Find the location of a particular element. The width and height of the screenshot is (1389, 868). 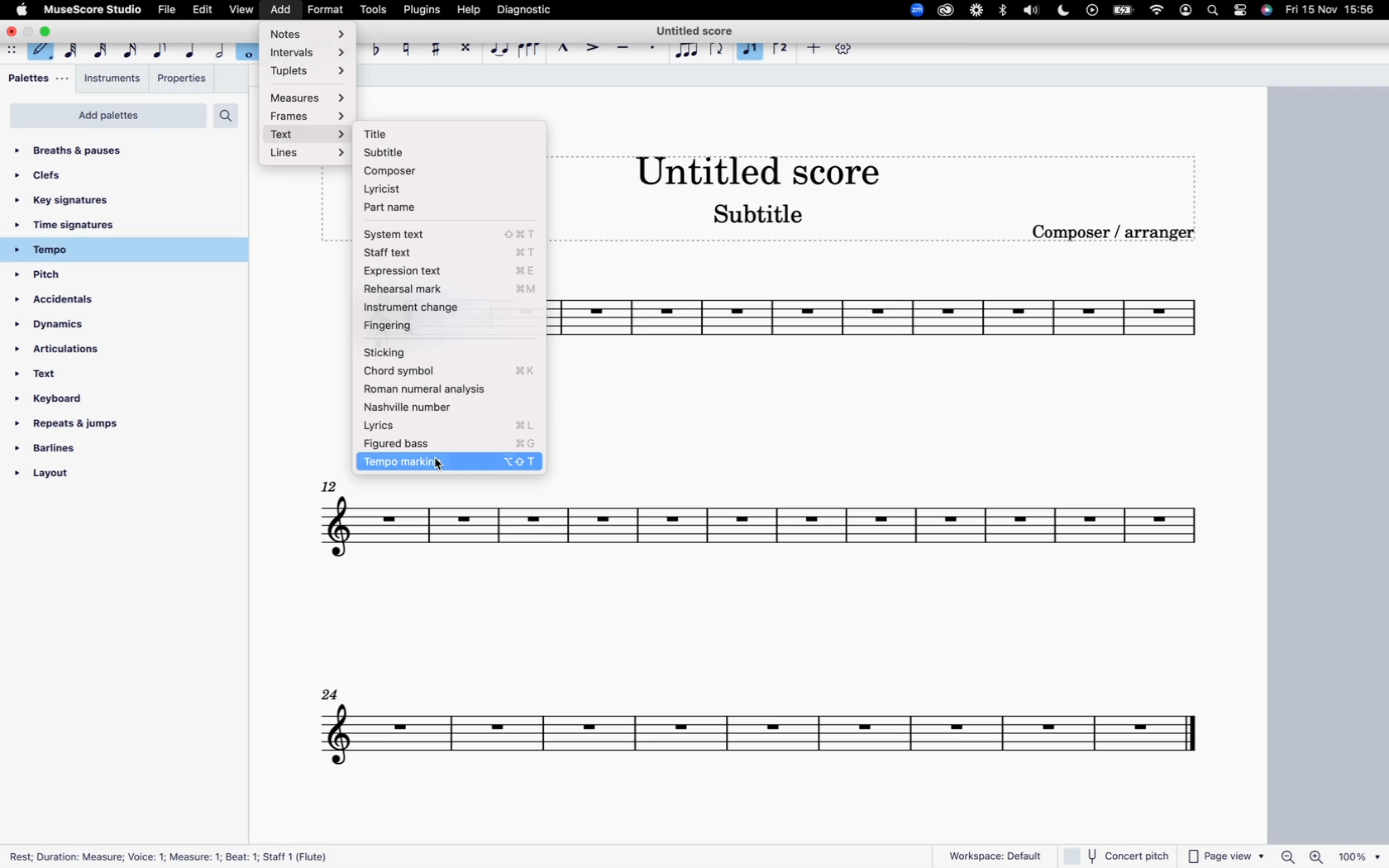

musescore studio is located at coordinates (94, 9).